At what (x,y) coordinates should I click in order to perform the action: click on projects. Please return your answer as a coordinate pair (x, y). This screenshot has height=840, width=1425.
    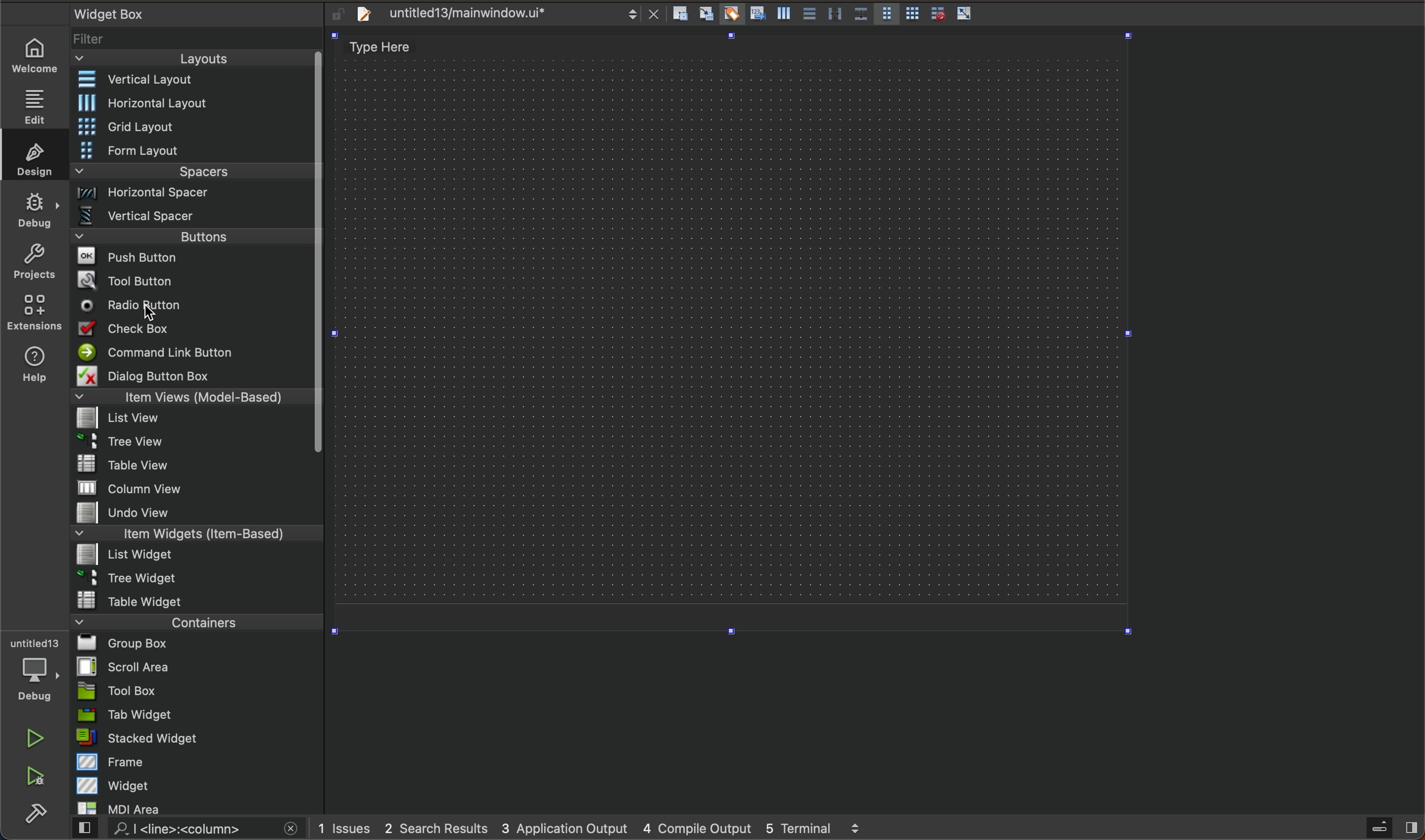
    Looking at the image, I should click on (34, 264).